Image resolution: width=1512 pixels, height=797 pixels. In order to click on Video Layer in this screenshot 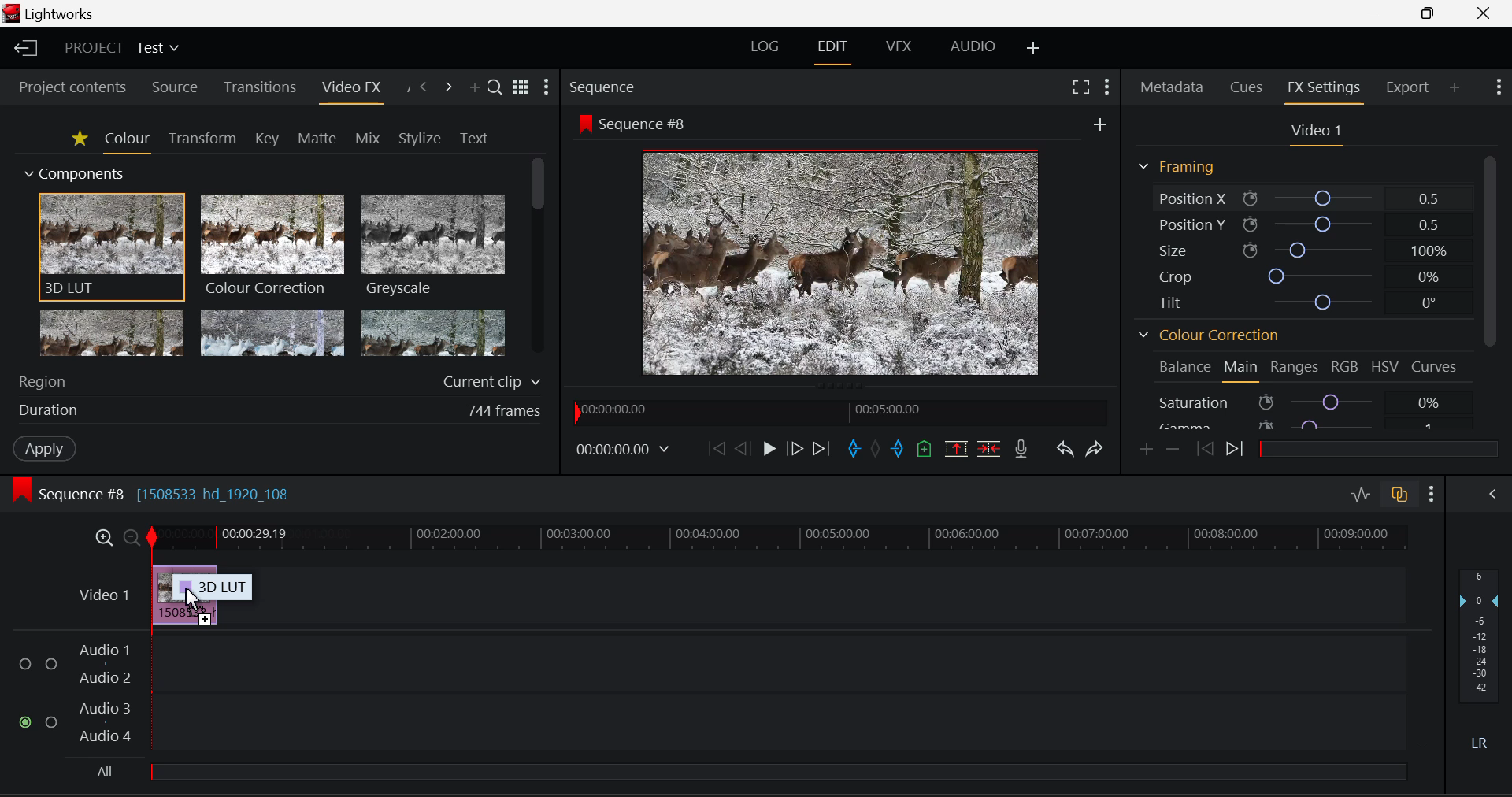, I will do `click(103, 595)`.